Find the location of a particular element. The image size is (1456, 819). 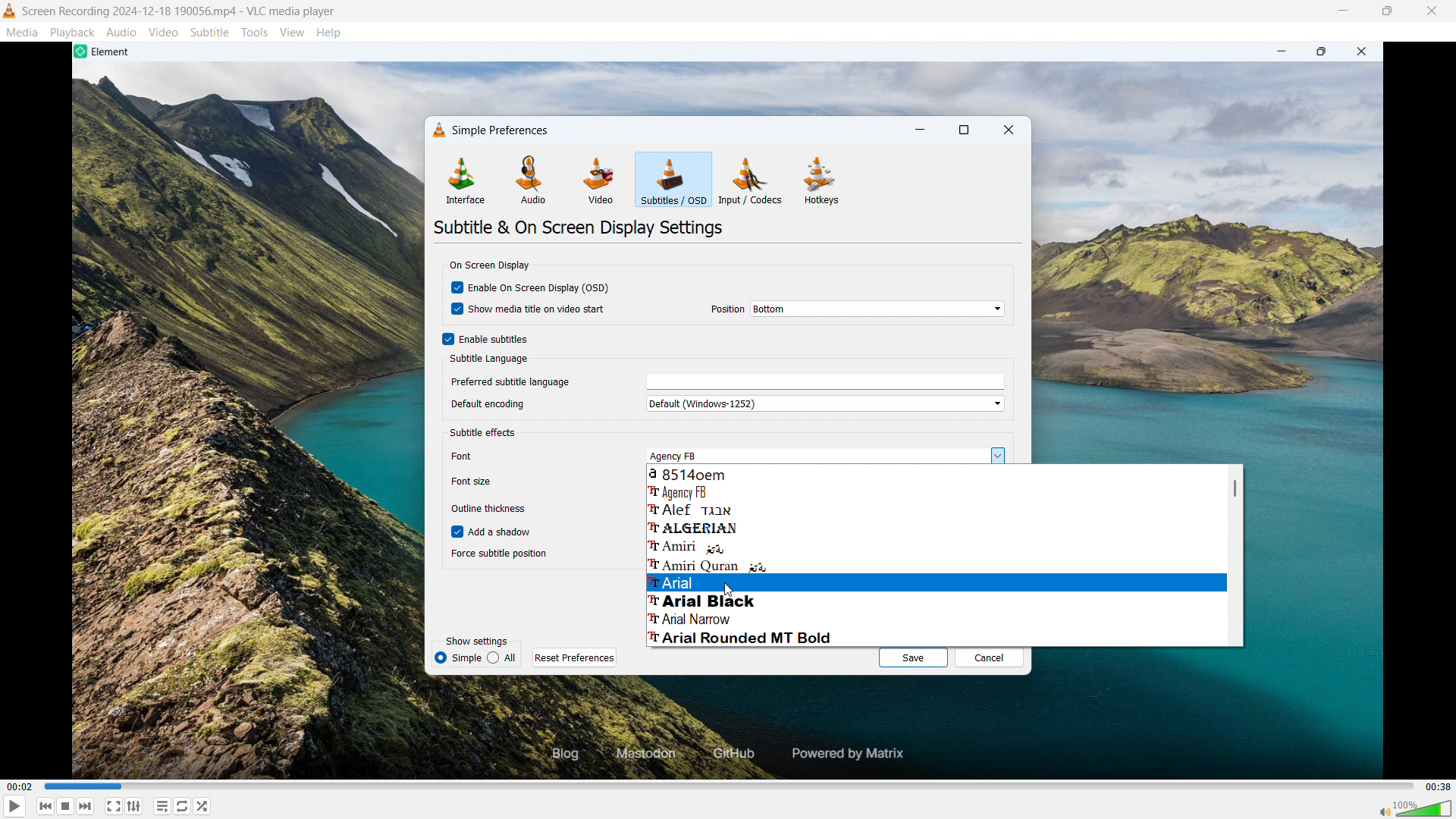

minimize is located at coordinates (1341, 11).